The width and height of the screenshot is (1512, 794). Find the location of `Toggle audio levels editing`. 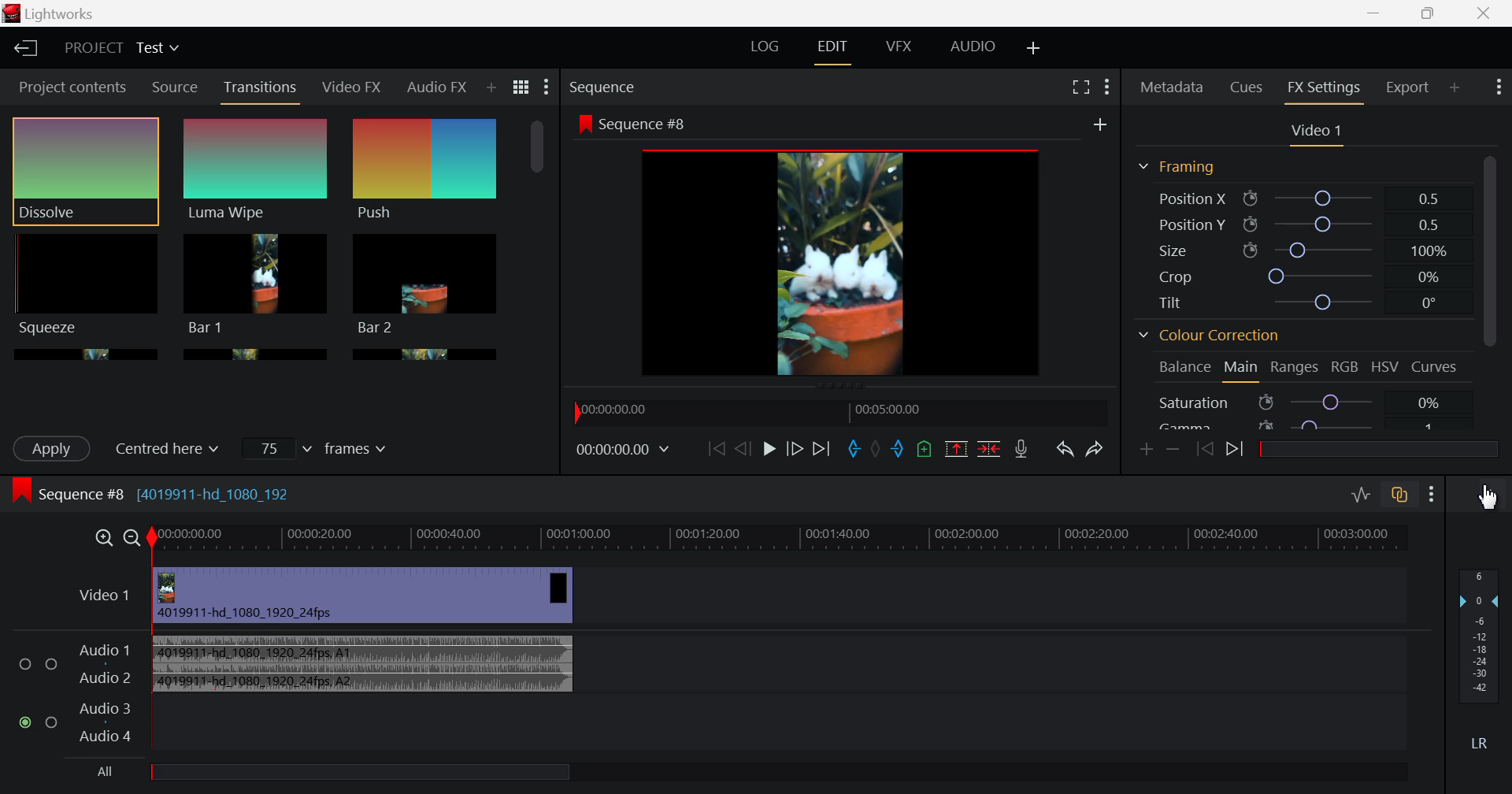

Toggle audio levels editing is located at coordinates (1361, 497).